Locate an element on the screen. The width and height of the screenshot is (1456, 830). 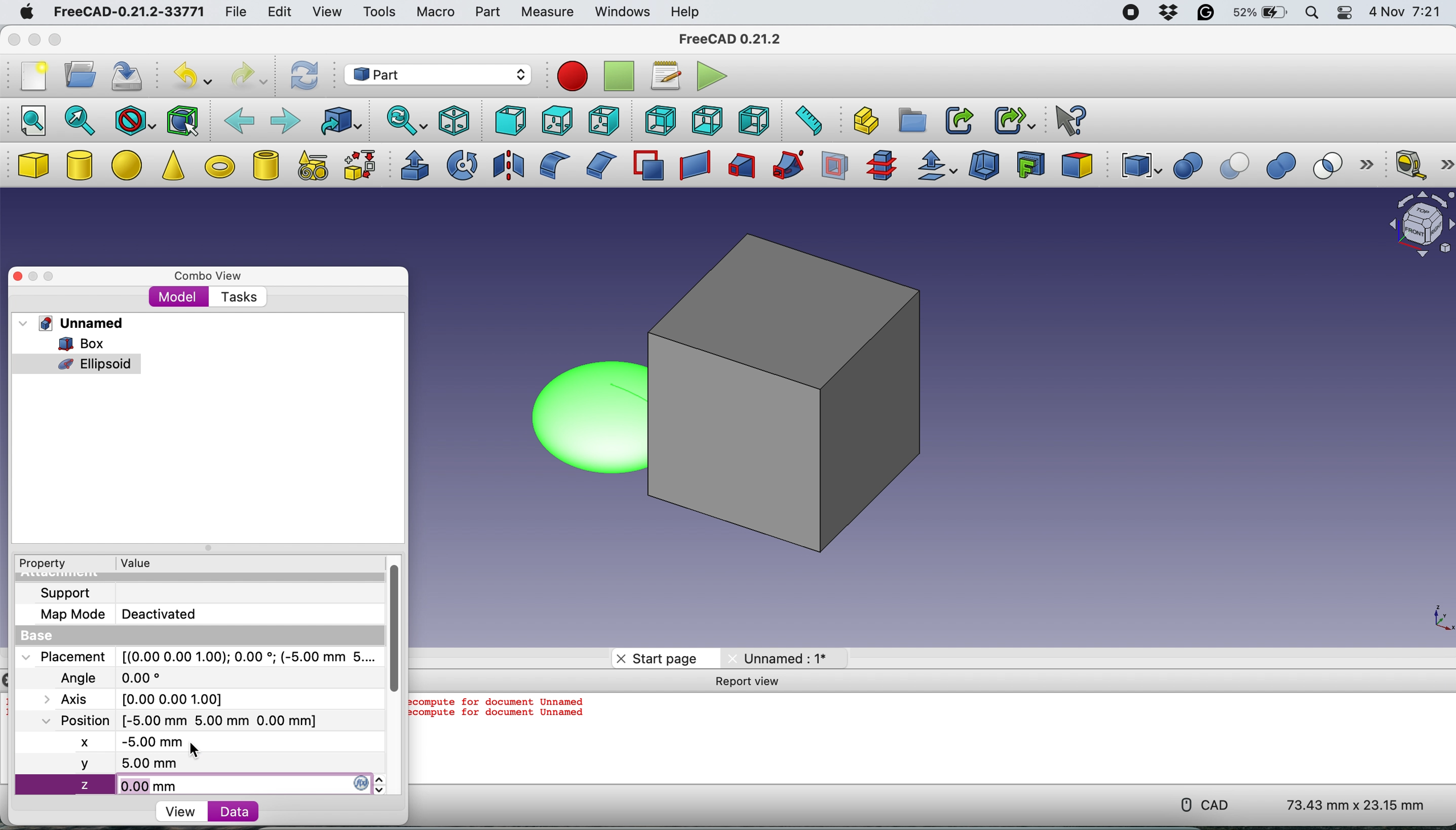
shape builder is located at coordinates (360, 165).